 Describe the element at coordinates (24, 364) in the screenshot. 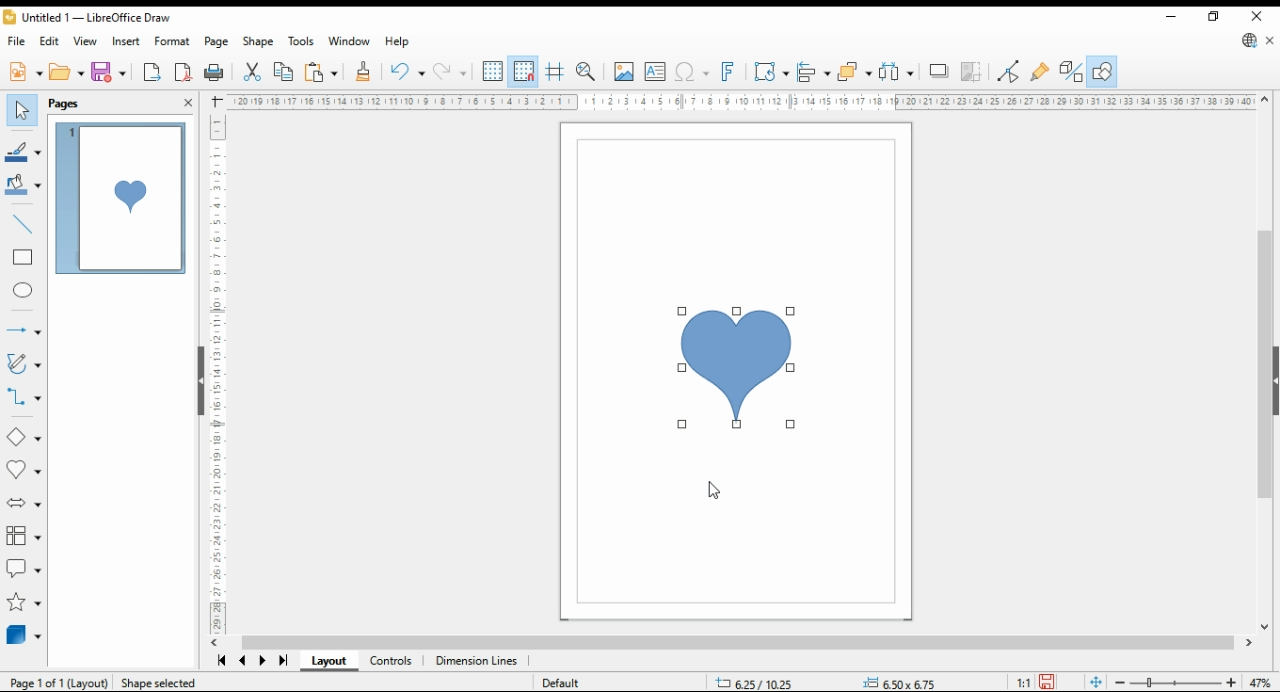

I see `curves and polygons` at that location.